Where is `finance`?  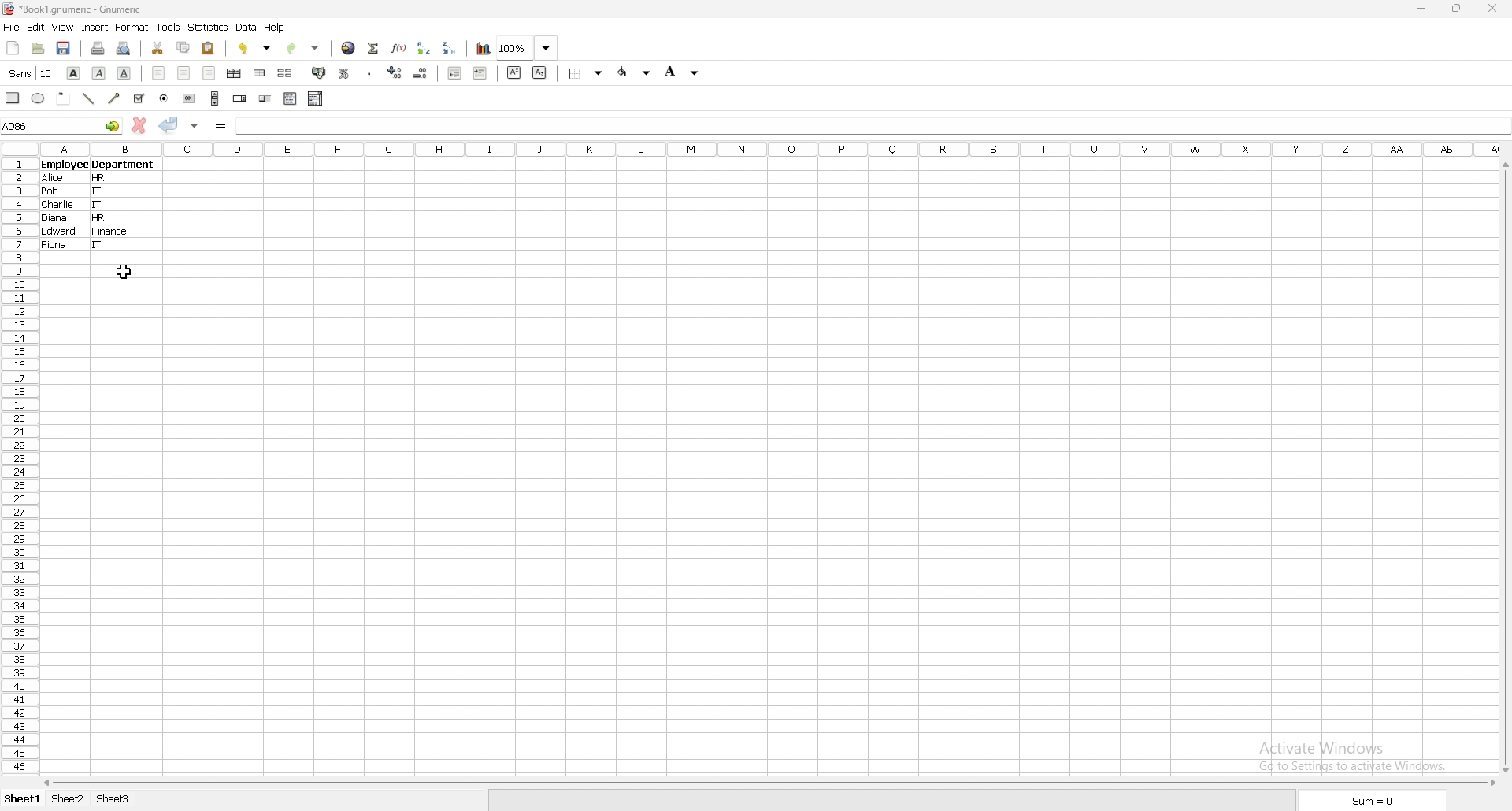 finance is located at coordinates (112, 232).